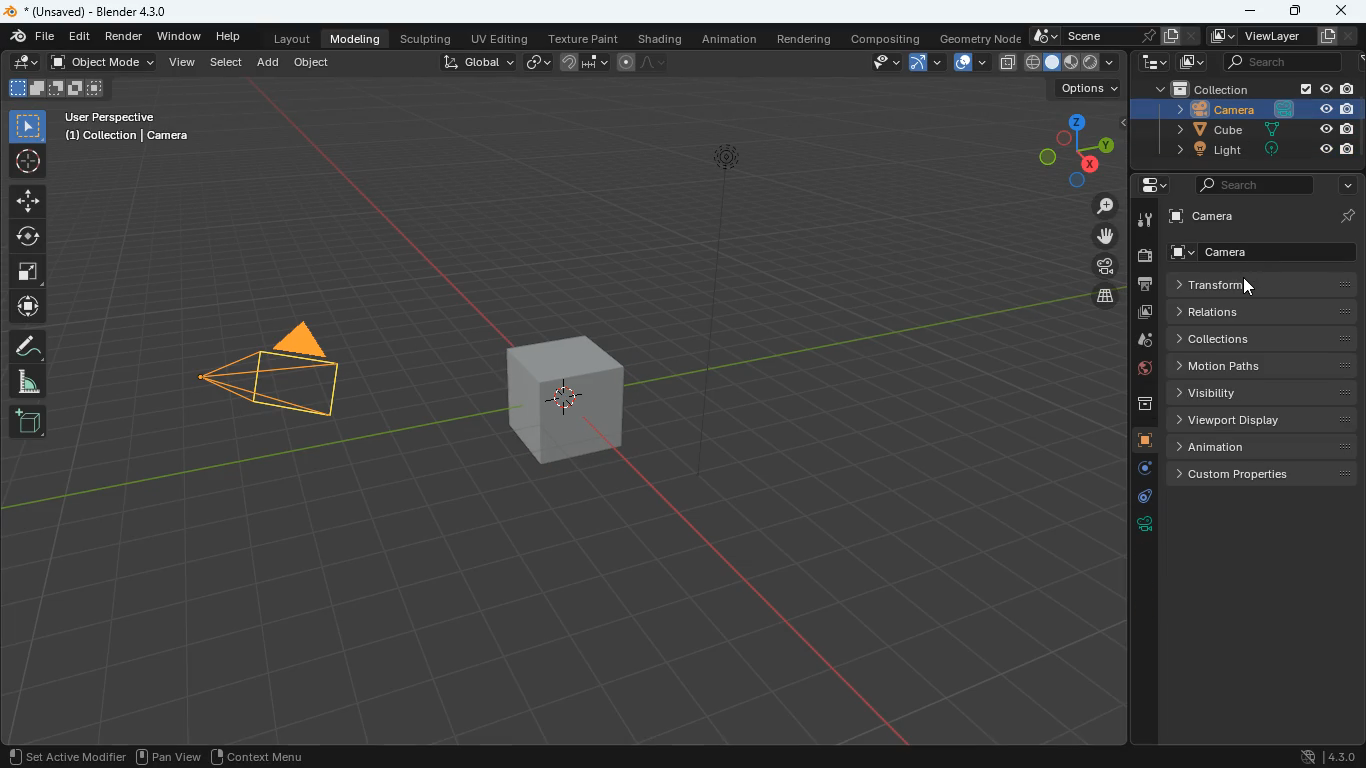  What do you see at coordinates (1263, 473) in the screenshot?
I see `custom properties` at bounding box center [1263, 473].